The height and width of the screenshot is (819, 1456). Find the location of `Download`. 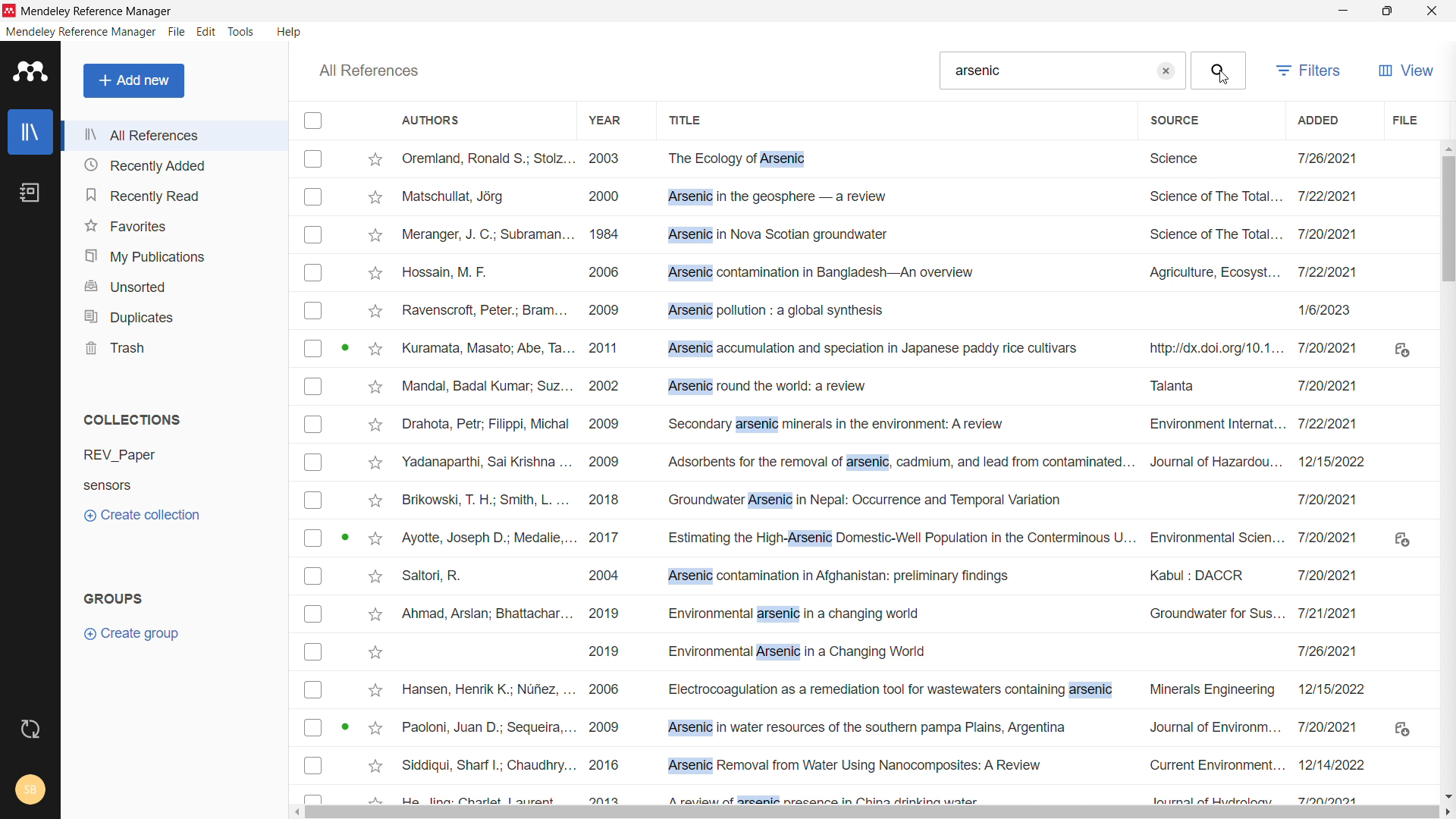

Download is located at coordinates (1401, 536).